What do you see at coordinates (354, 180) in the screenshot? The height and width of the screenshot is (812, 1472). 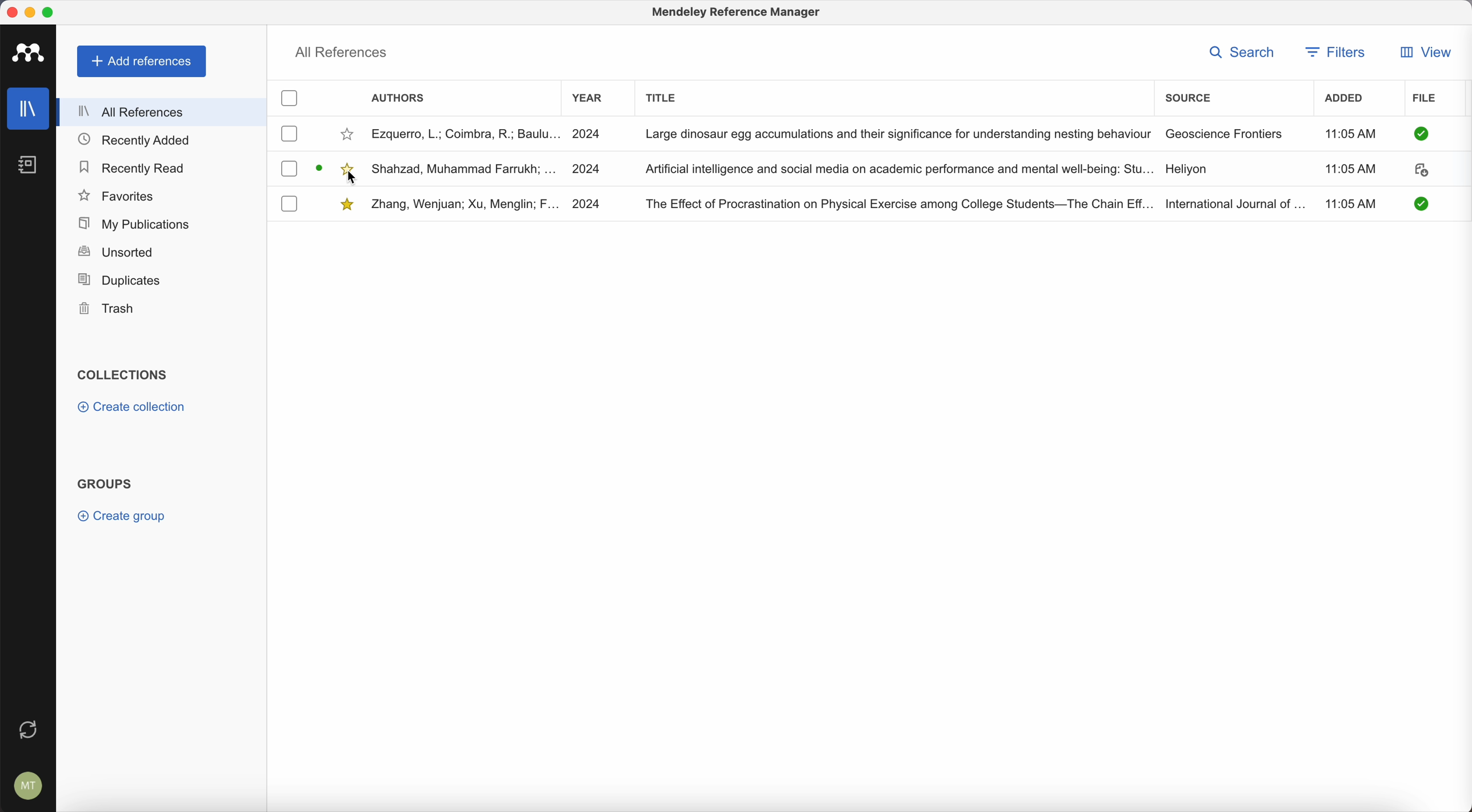 I see `cursor` at bounding box center [354, 180].